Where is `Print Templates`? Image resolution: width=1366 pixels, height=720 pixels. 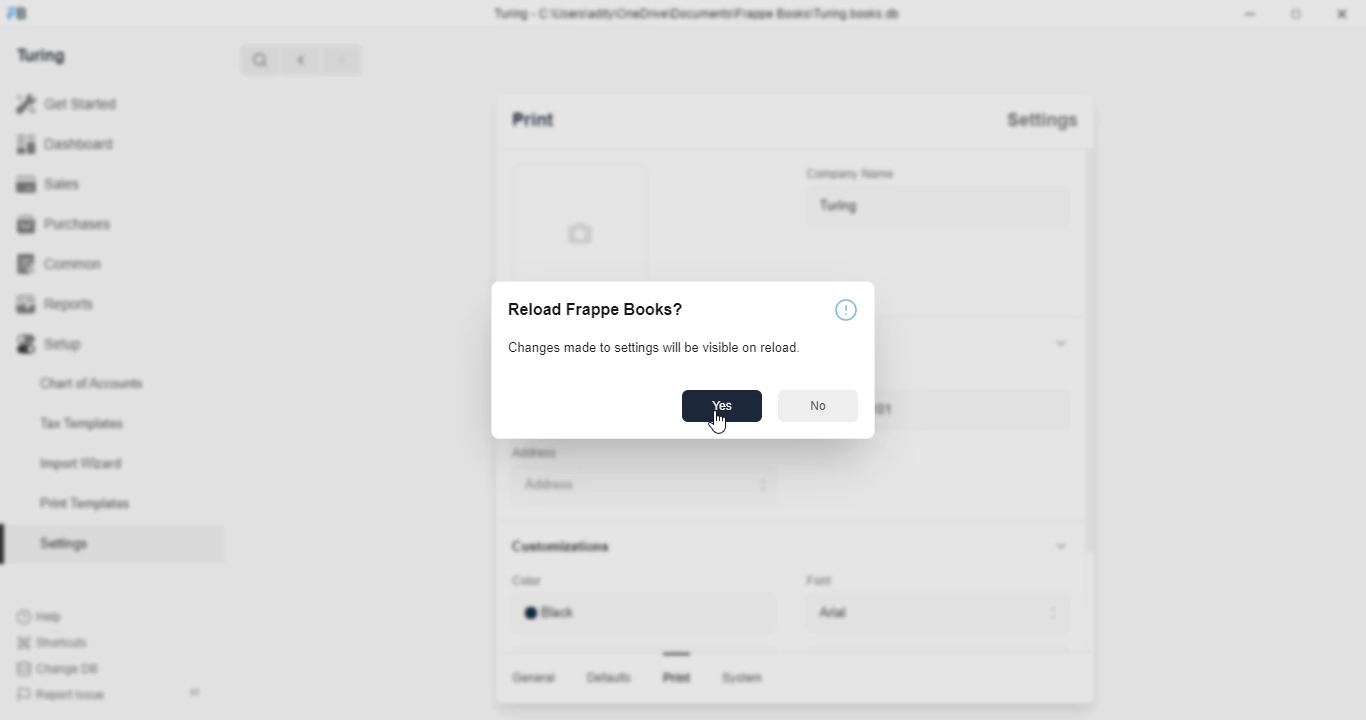 Print Templates is located at coordinates (93, 504).